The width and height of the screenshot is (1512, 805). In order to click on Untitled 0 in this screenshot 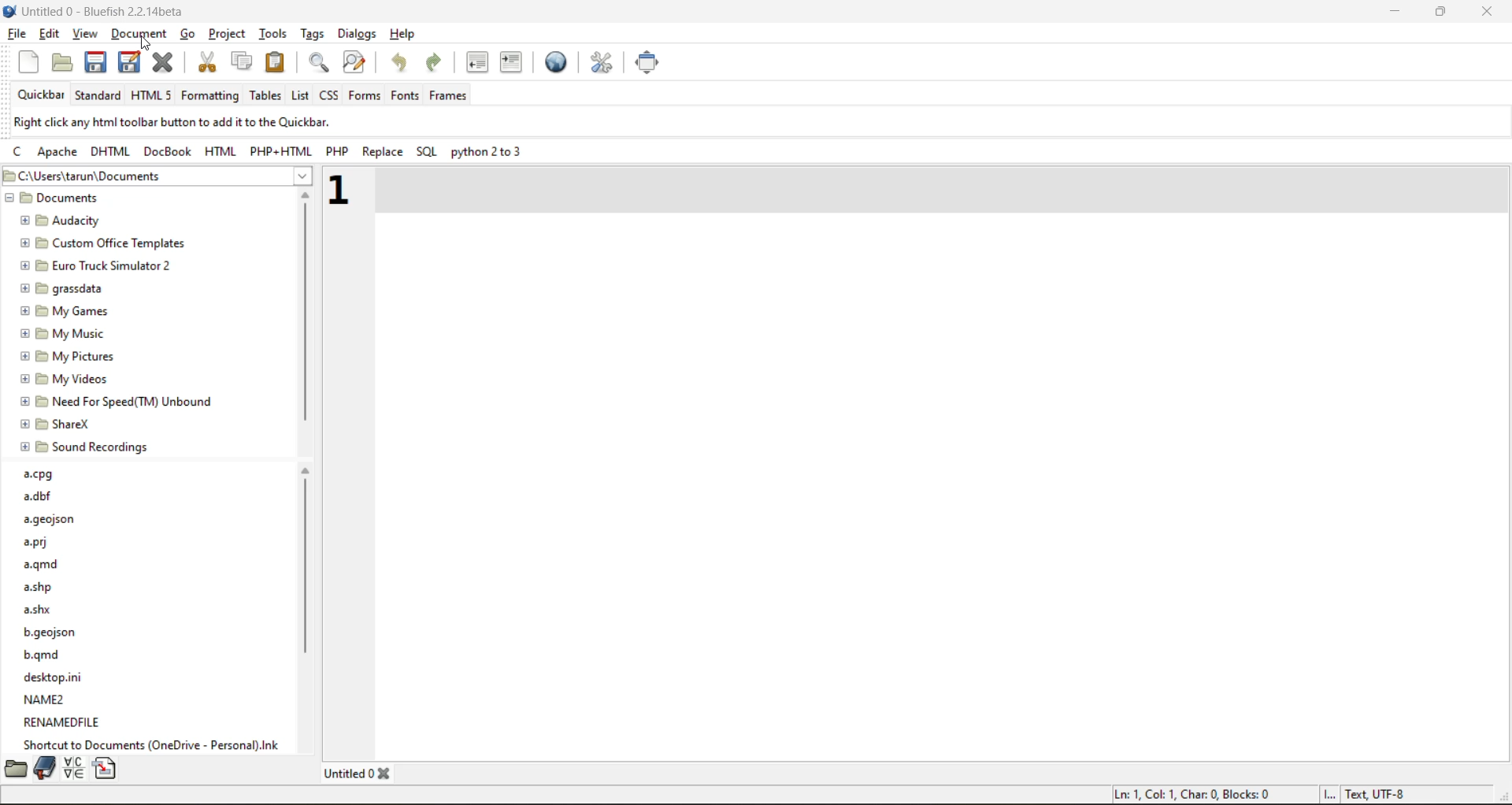, I will do `click(348, 773)`.